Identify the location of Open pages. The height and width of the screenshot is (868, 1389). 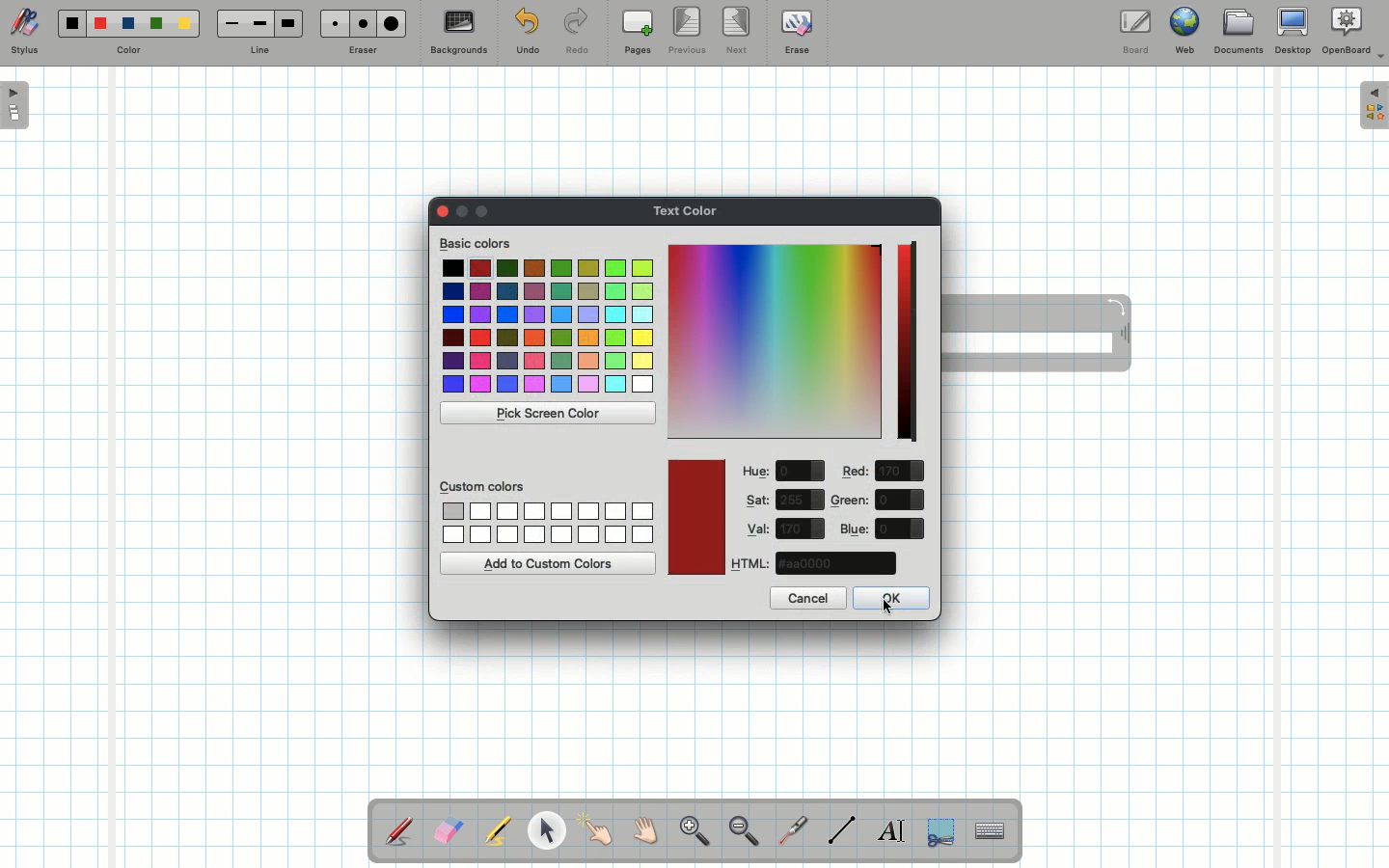
(16, 104).